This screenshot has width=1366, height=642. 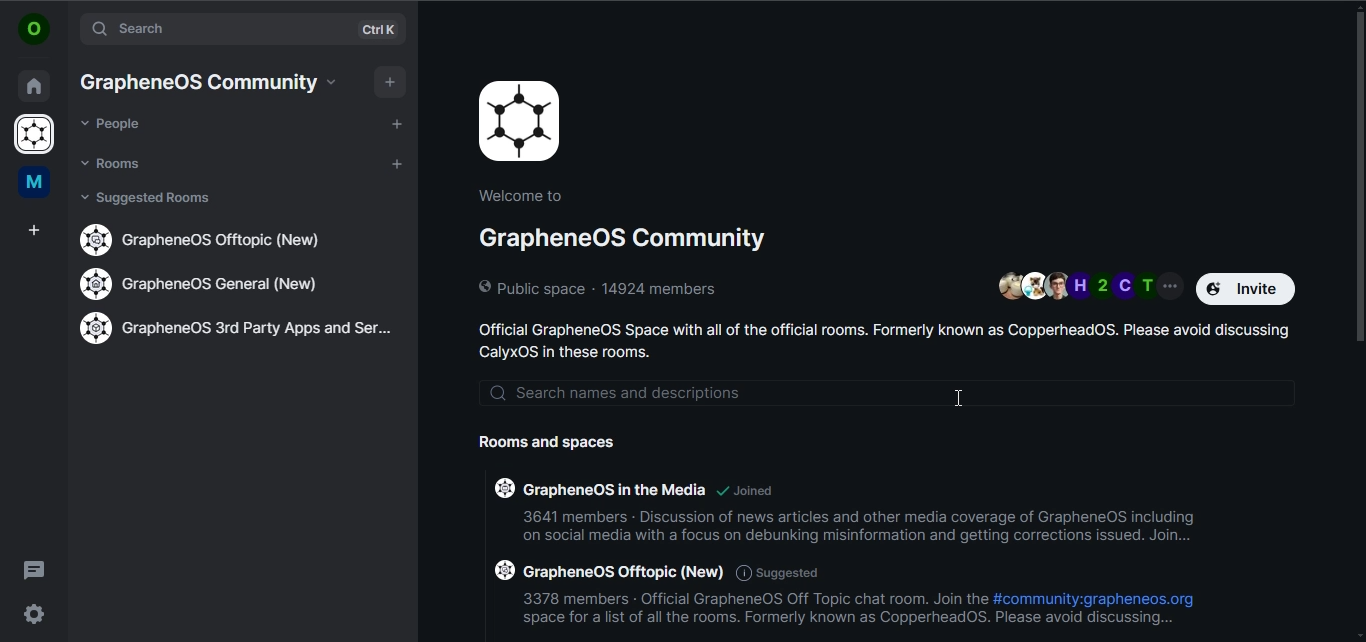 I want to click on GrapheneOS in the Media Joined
3641 members - Discussion of news articles and other media coverage of Graphene0S including
on social media with a focus on debunking misinformation and getting corrections issued. Join..., so click(x=846, y=506).